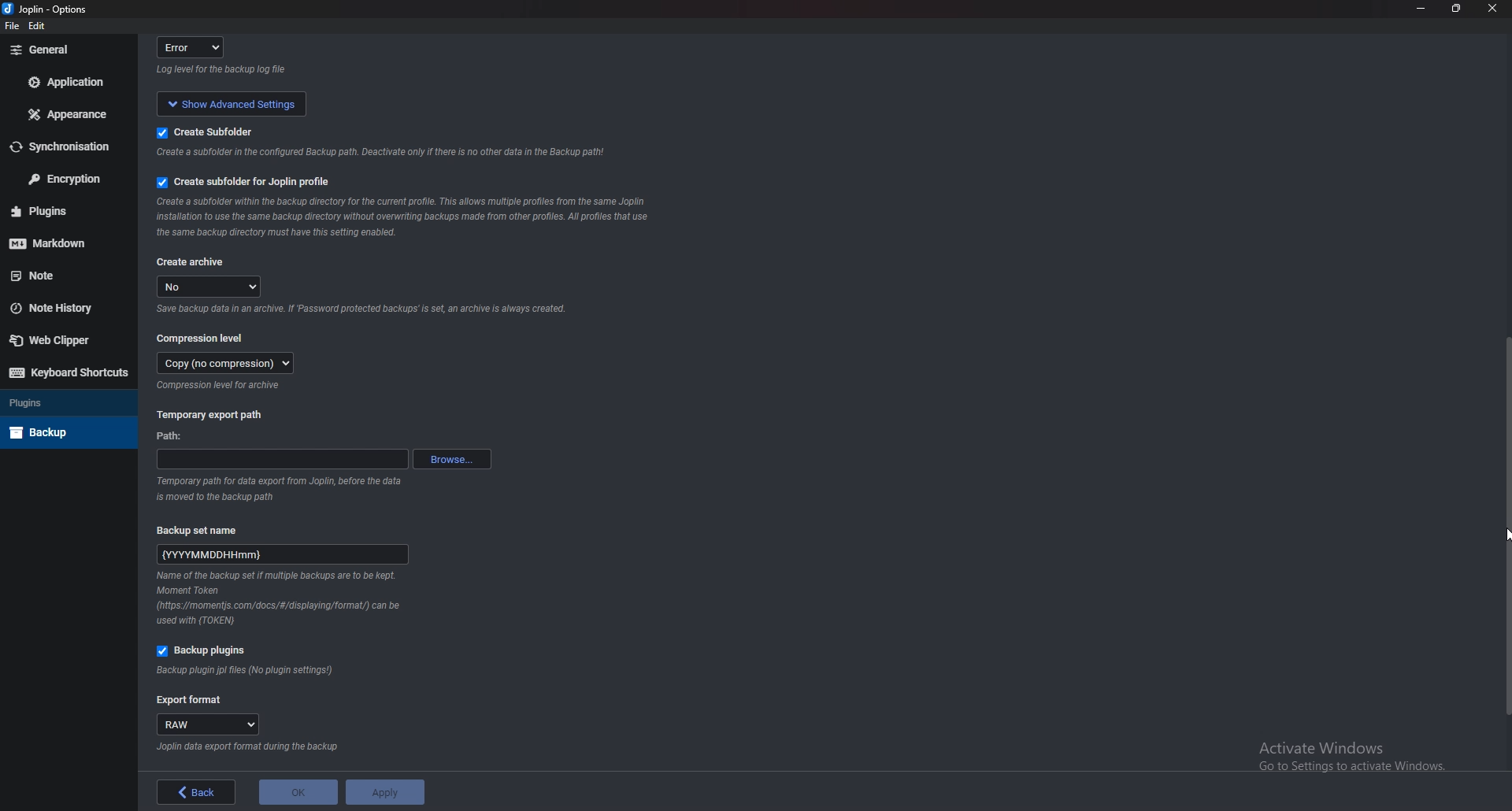 The width and height of the screenshot is (1512, 811). I want to click on Application, so click(69, 82).